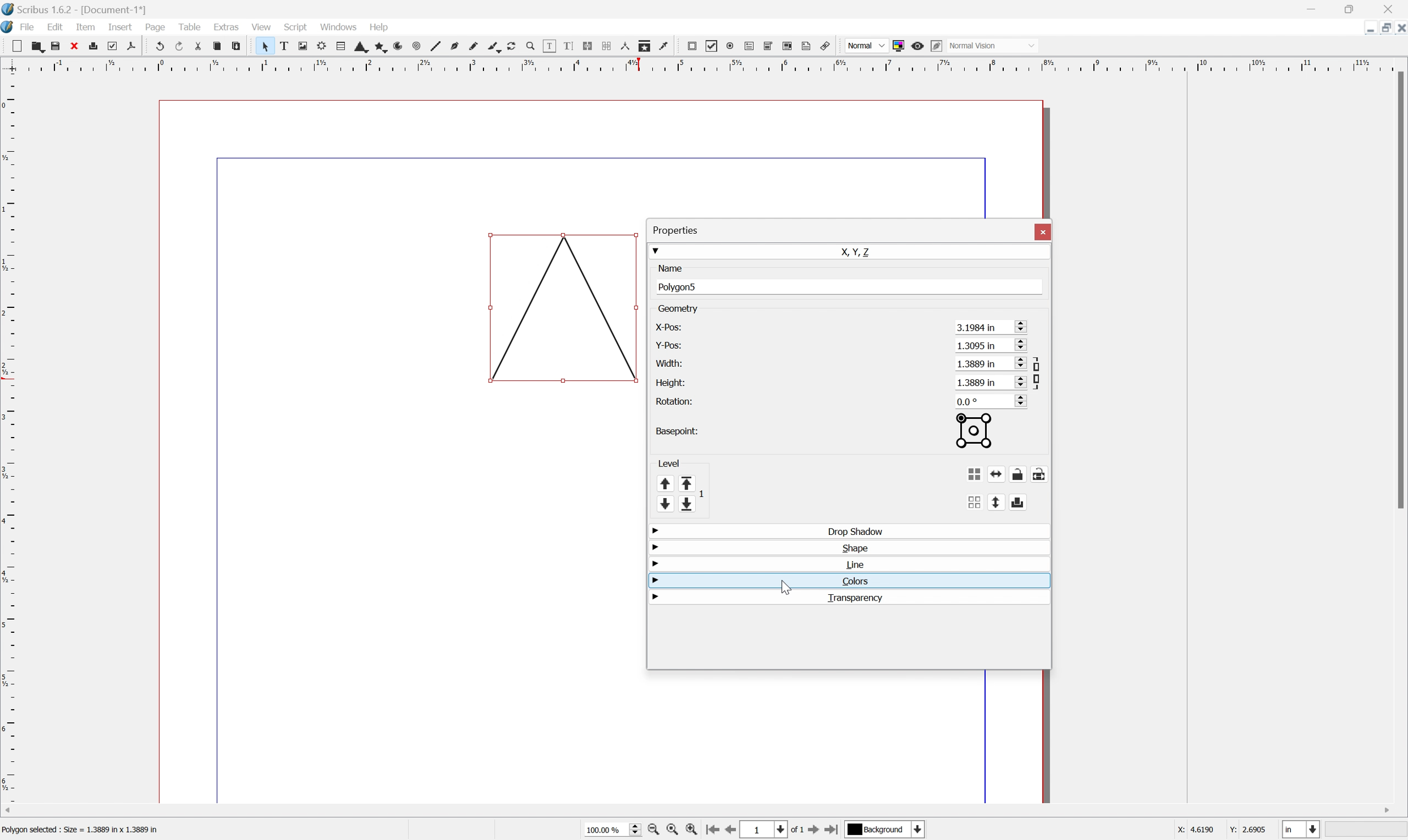  What do you see at coordinates (495, 48) in the screenshot?
I see `Calligraphic lines` at bounding box center [495, 48].